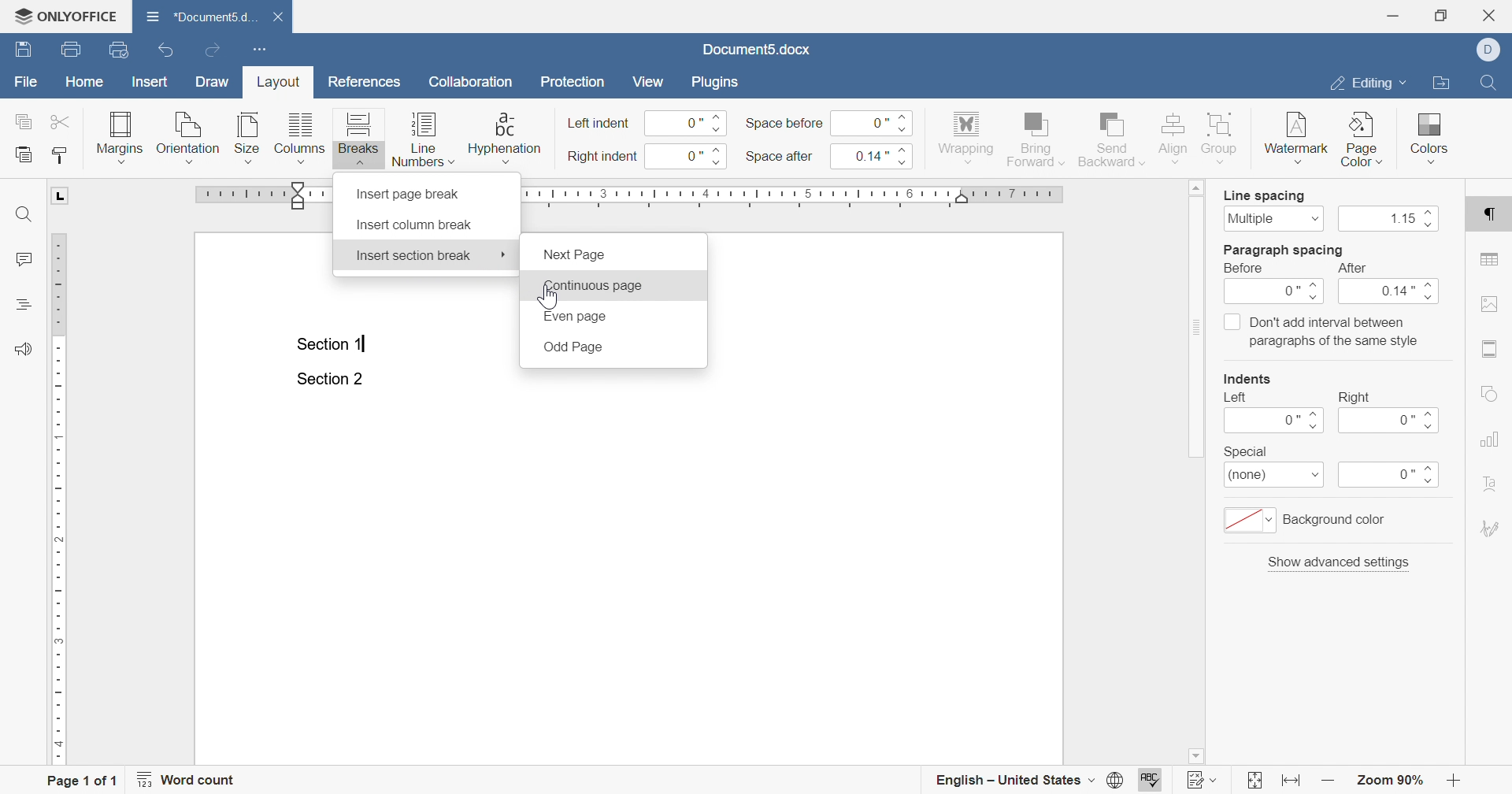  What do you see at coordinates (1363, 139) in the screenshot?
I see `page color` at bounding box center [1363, 139].